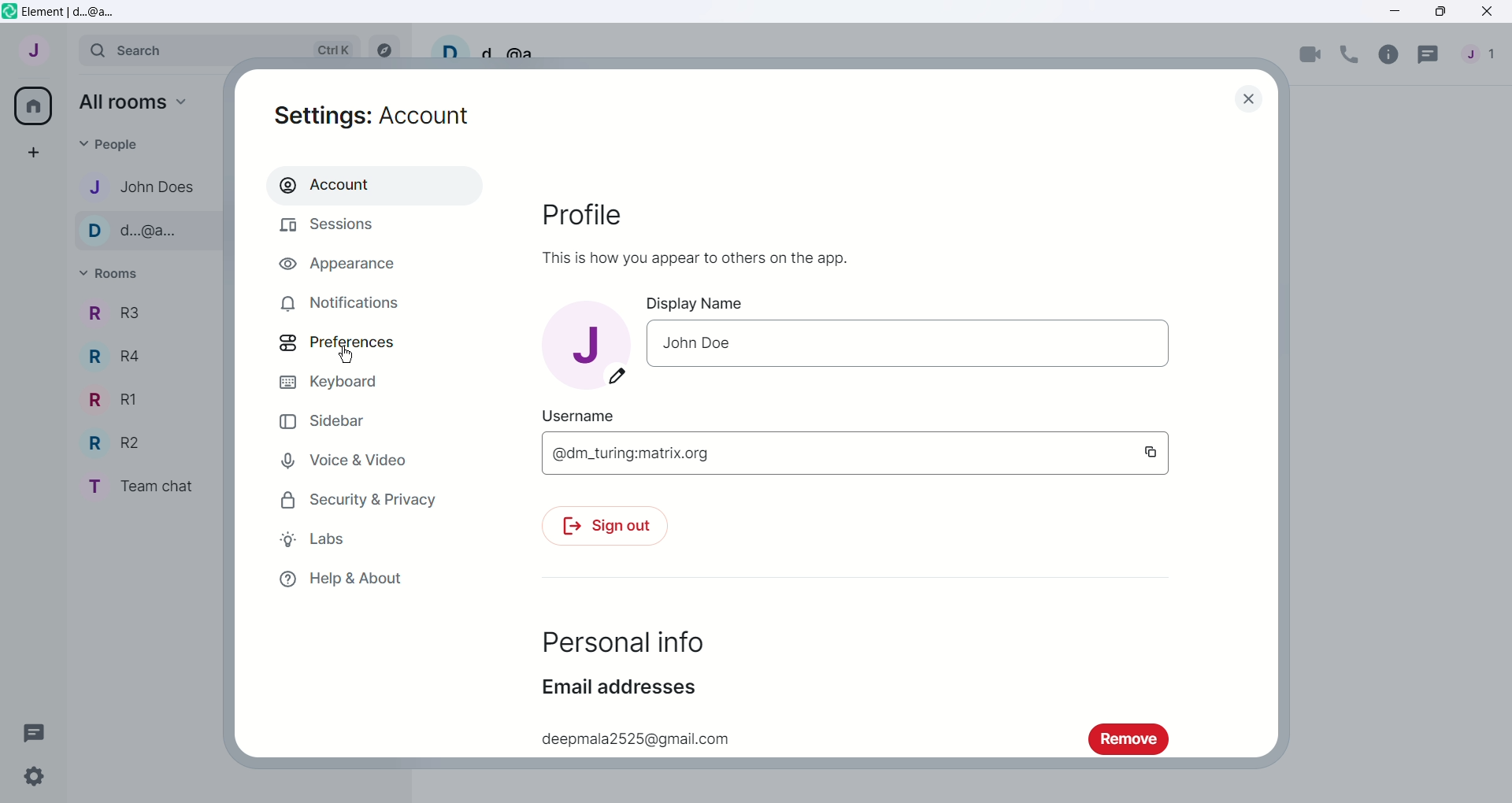  I want to click on User menu, so click(35, 48).